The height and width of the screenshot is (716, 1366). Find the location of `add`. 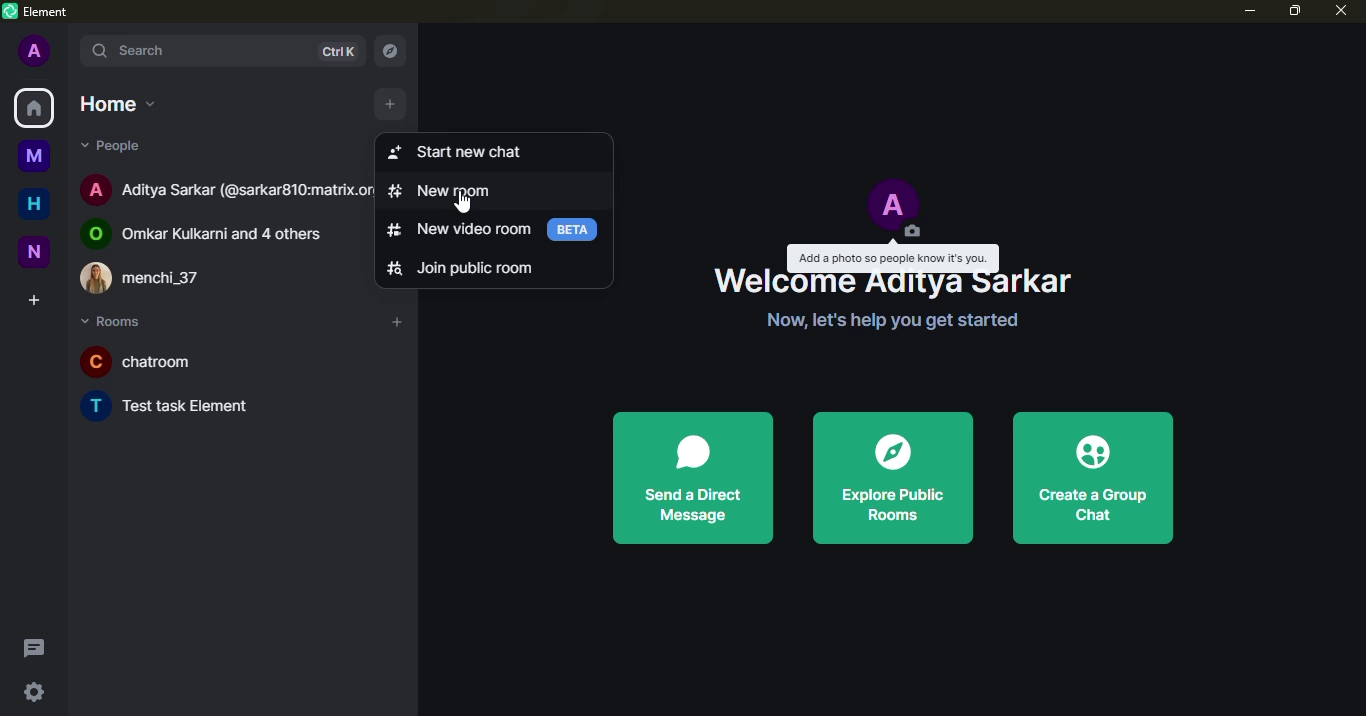

add is located at coordinates (394, 323).